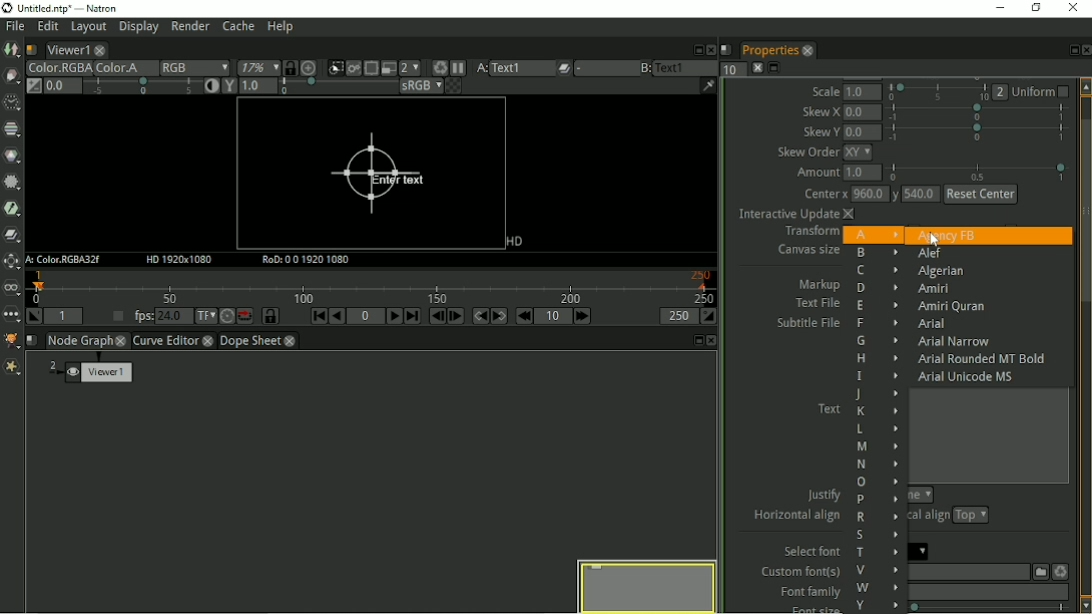 Image resolution: width=1092 pixels, height=614 pixels. I want to click on Skew X, so click(821, 111).